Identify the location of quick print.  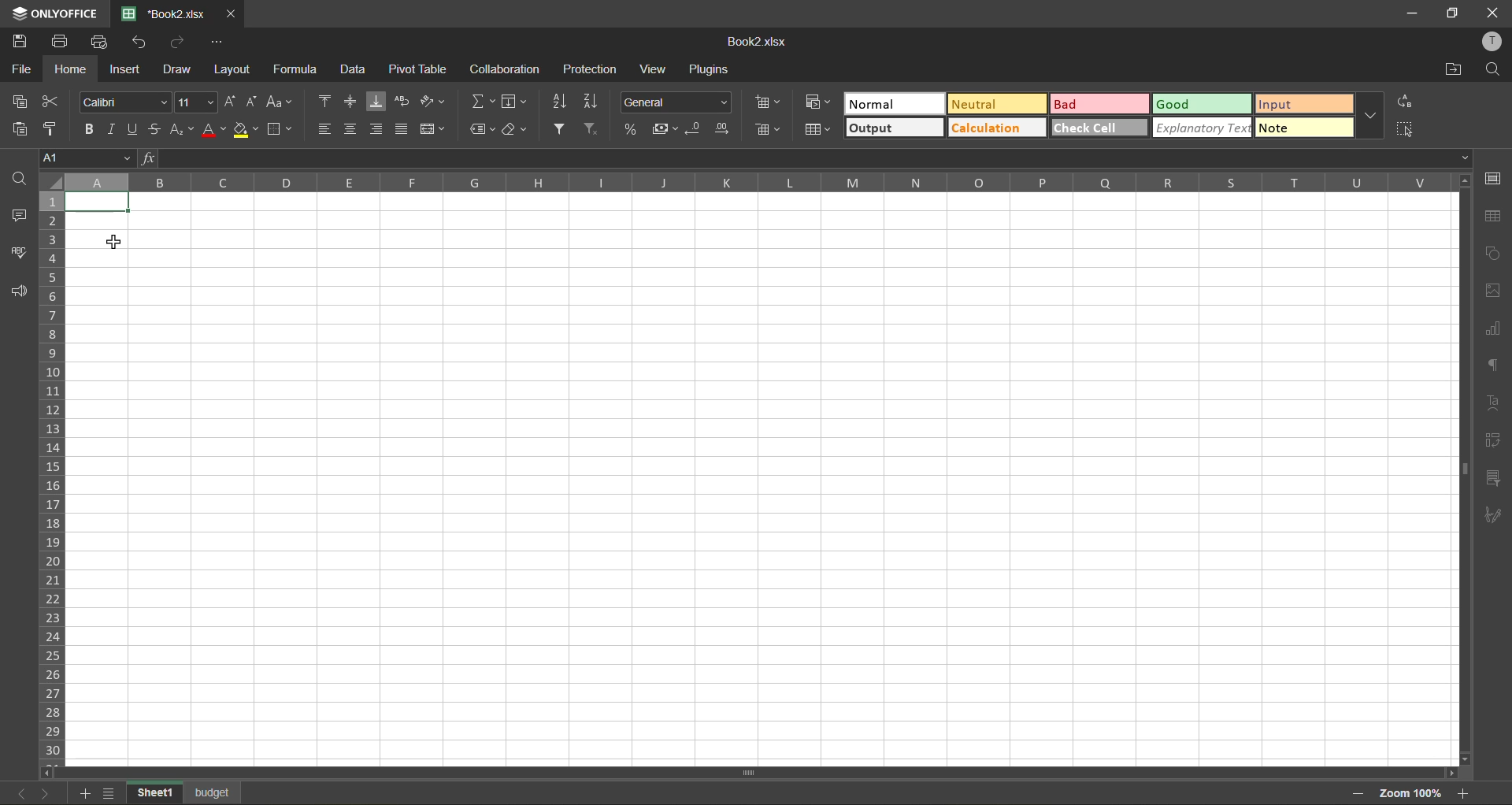
(104, 43).